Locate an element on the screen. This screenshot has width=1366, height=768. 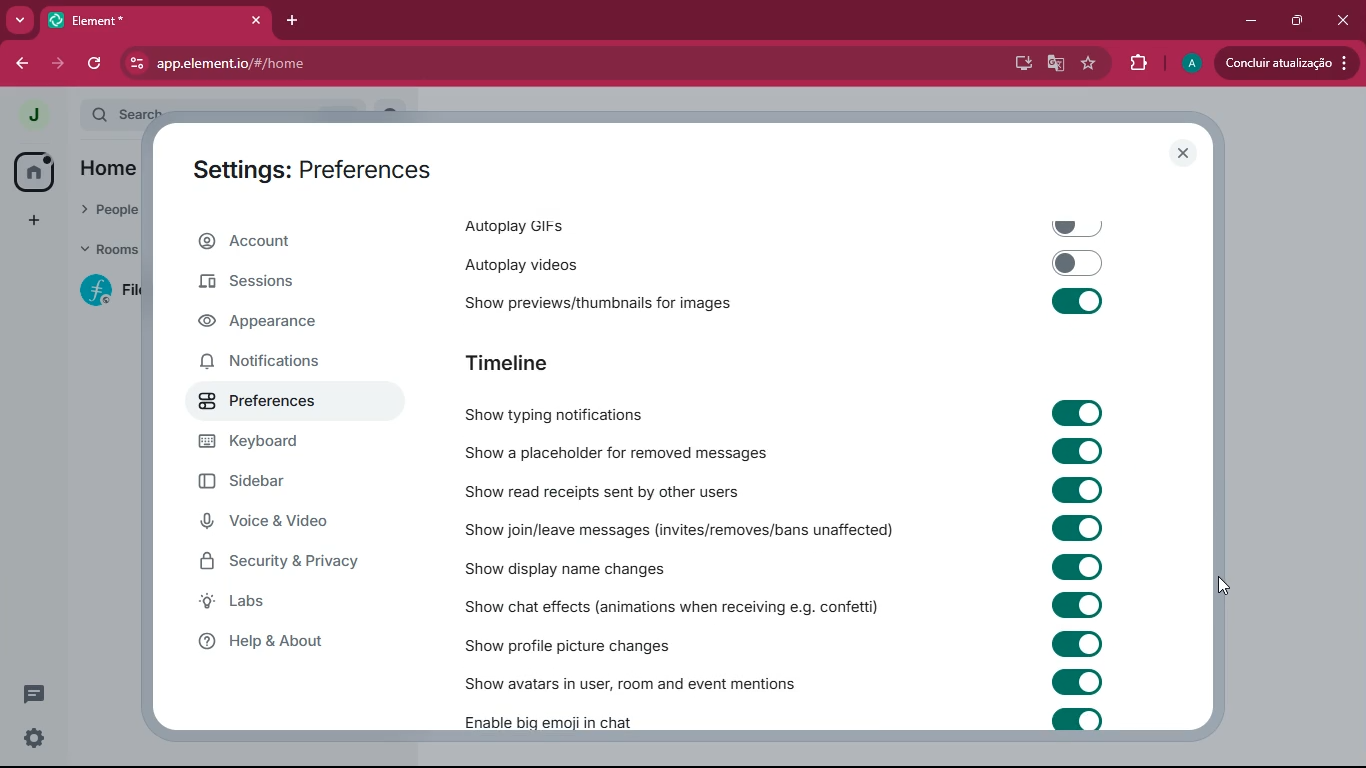
element tab is located at coordinates (158, 21).